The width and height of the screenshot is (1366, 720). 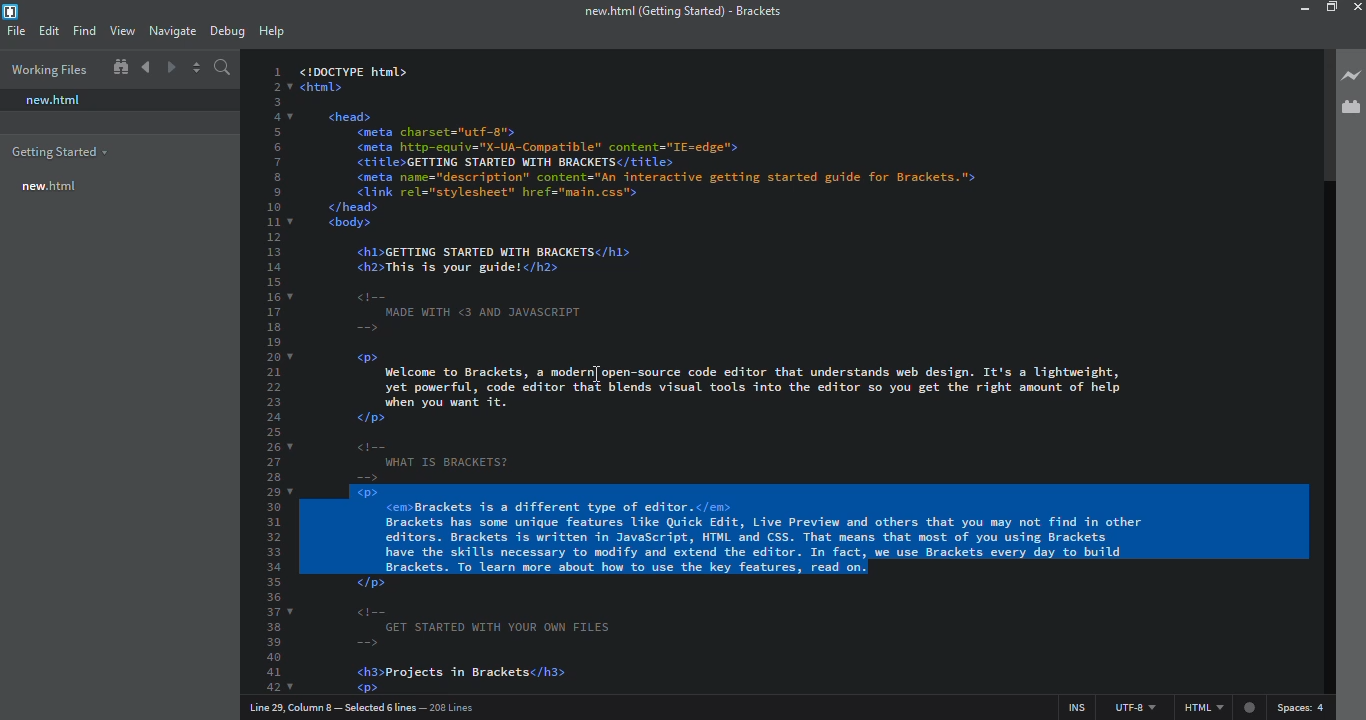 I want to click on selected lines, so click(x=801, y=524).